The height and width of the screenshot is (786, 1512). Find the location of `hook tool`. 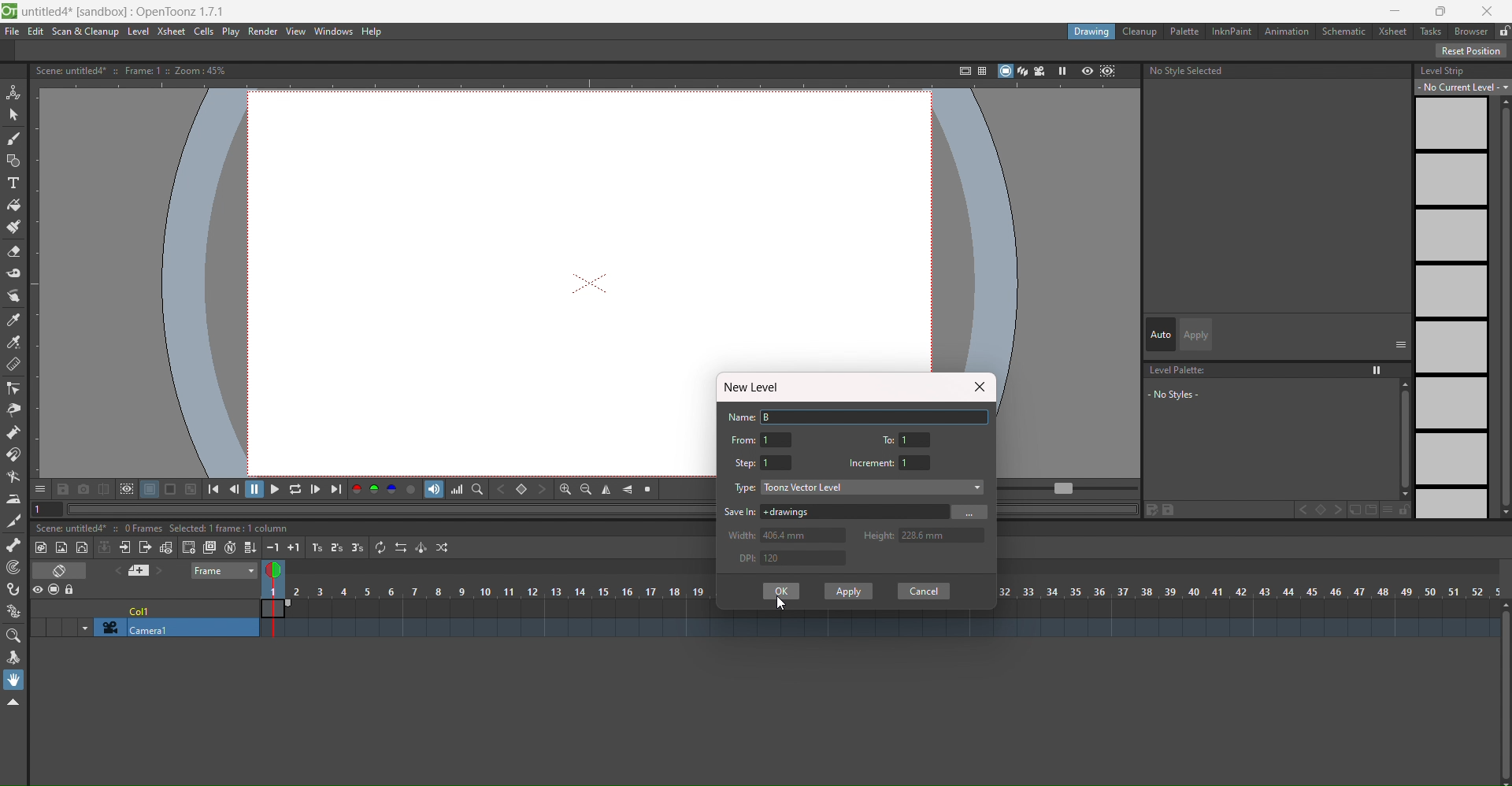

hook tool is located at coordinates (14, 589).